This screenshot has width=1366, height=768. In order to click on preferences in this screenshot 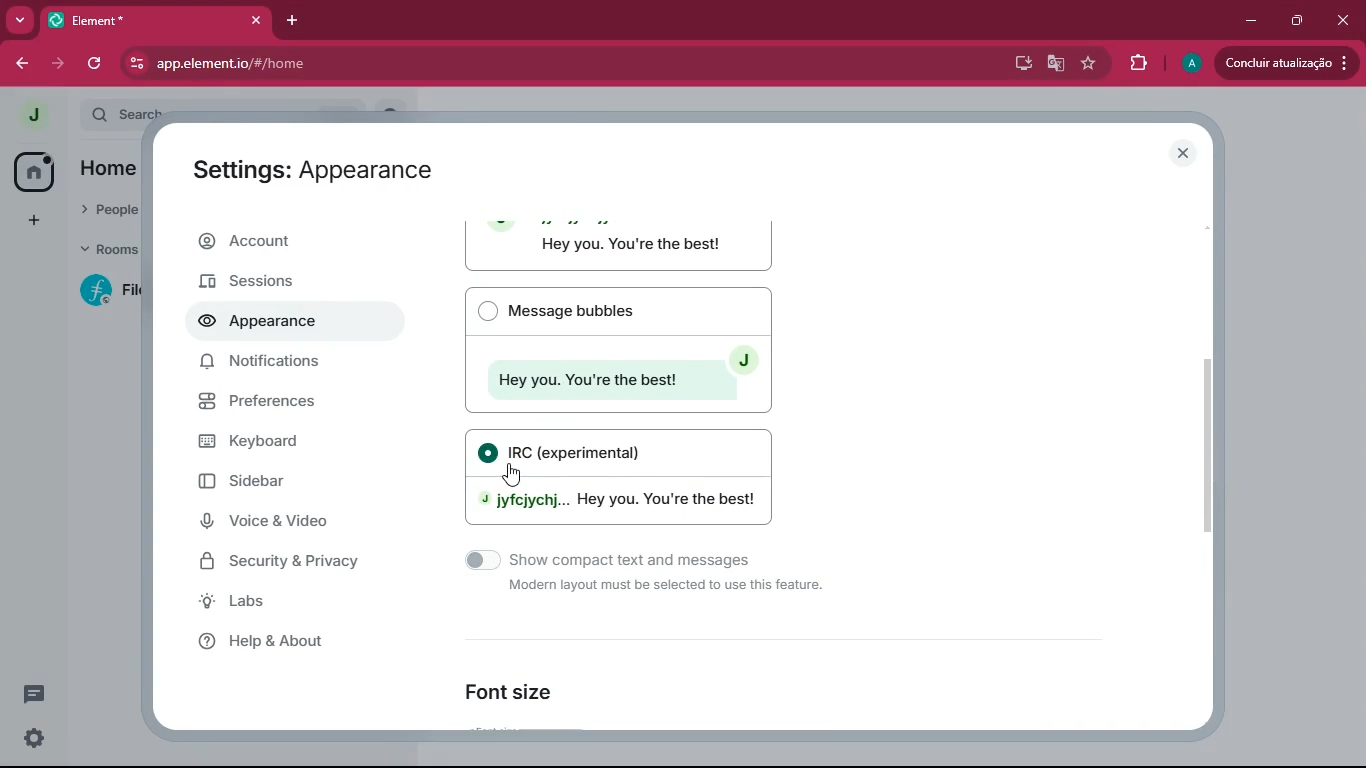, I will do `click(285, 403)`.